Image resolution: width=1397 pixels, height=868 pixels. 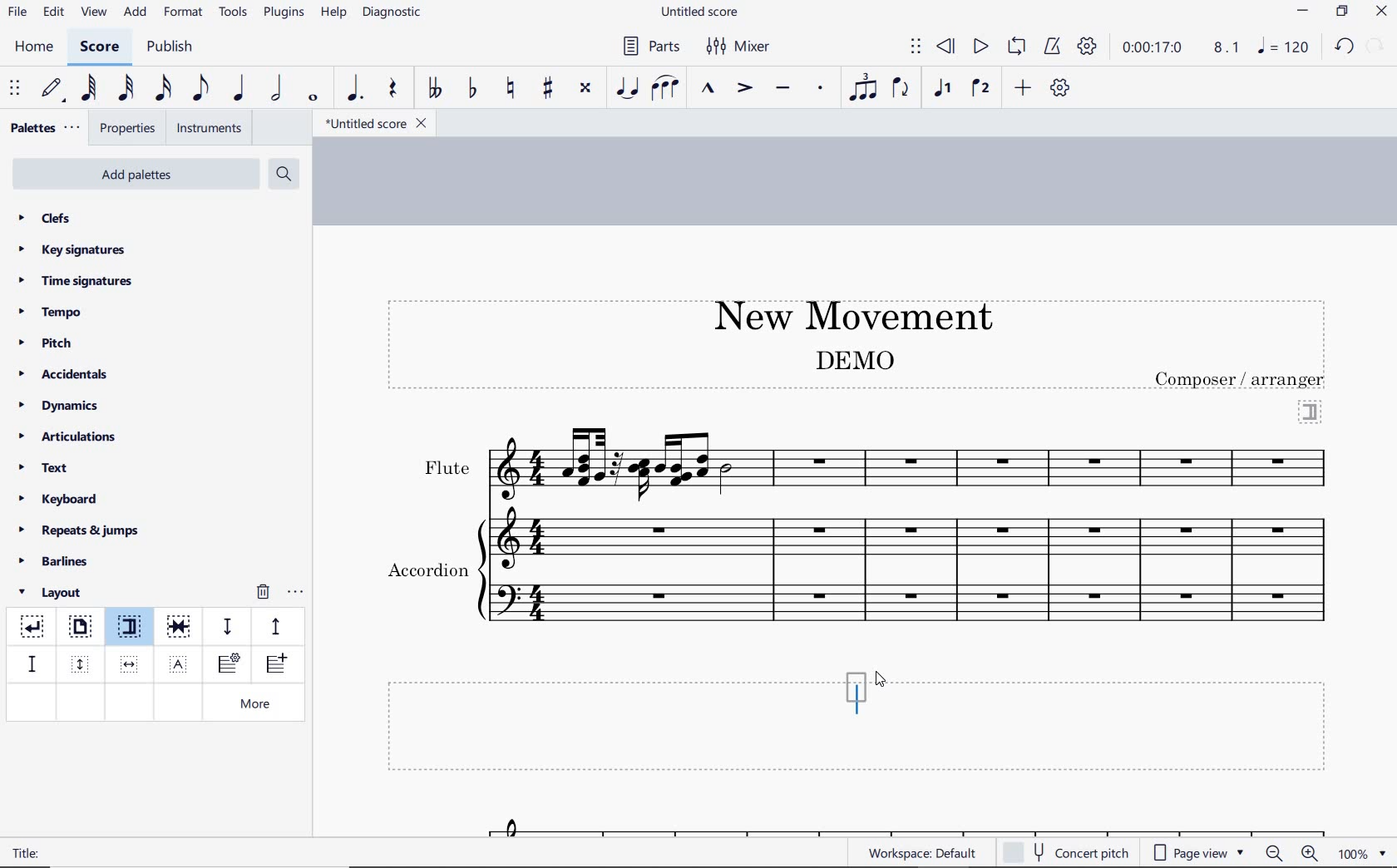 What do you see at coordinates (945, 89) in the screenshot?
I see `voice1` at bounding box center [945, 89].